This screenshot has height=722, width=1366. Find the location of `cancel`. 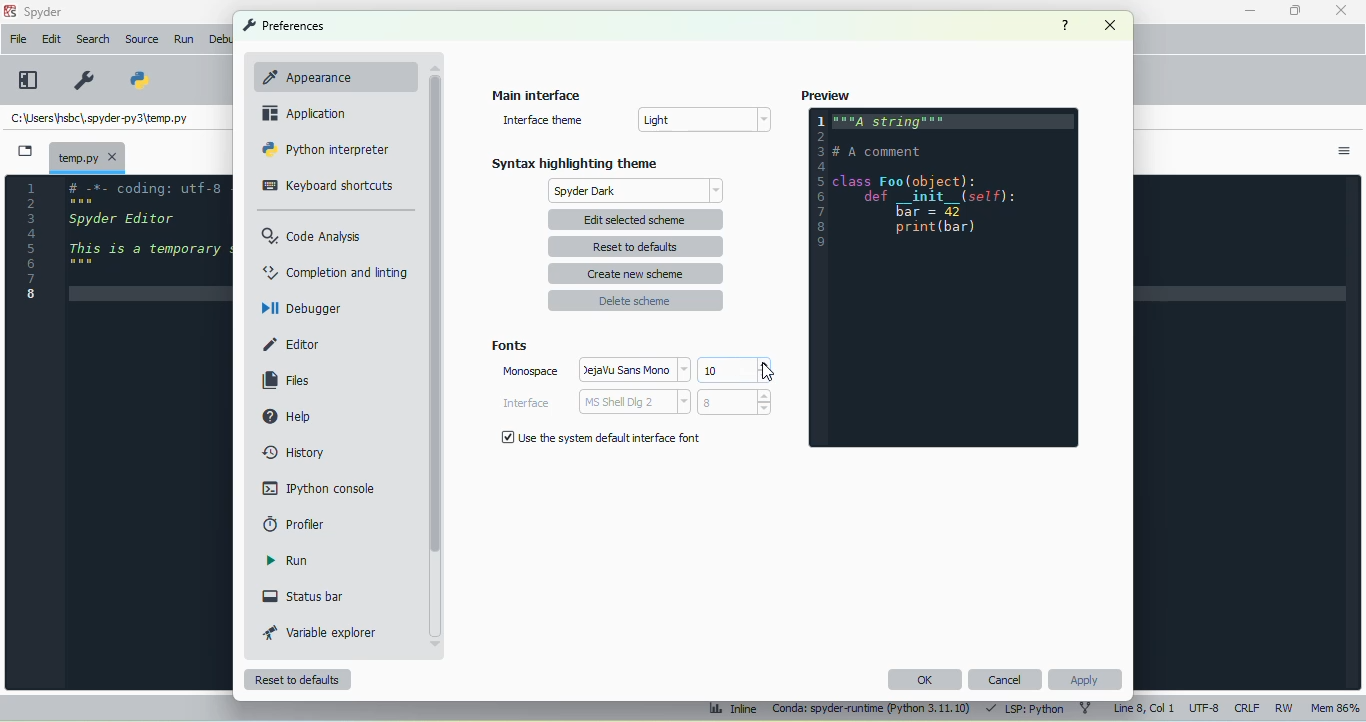

cancel is located at coordinates (1006, 679).